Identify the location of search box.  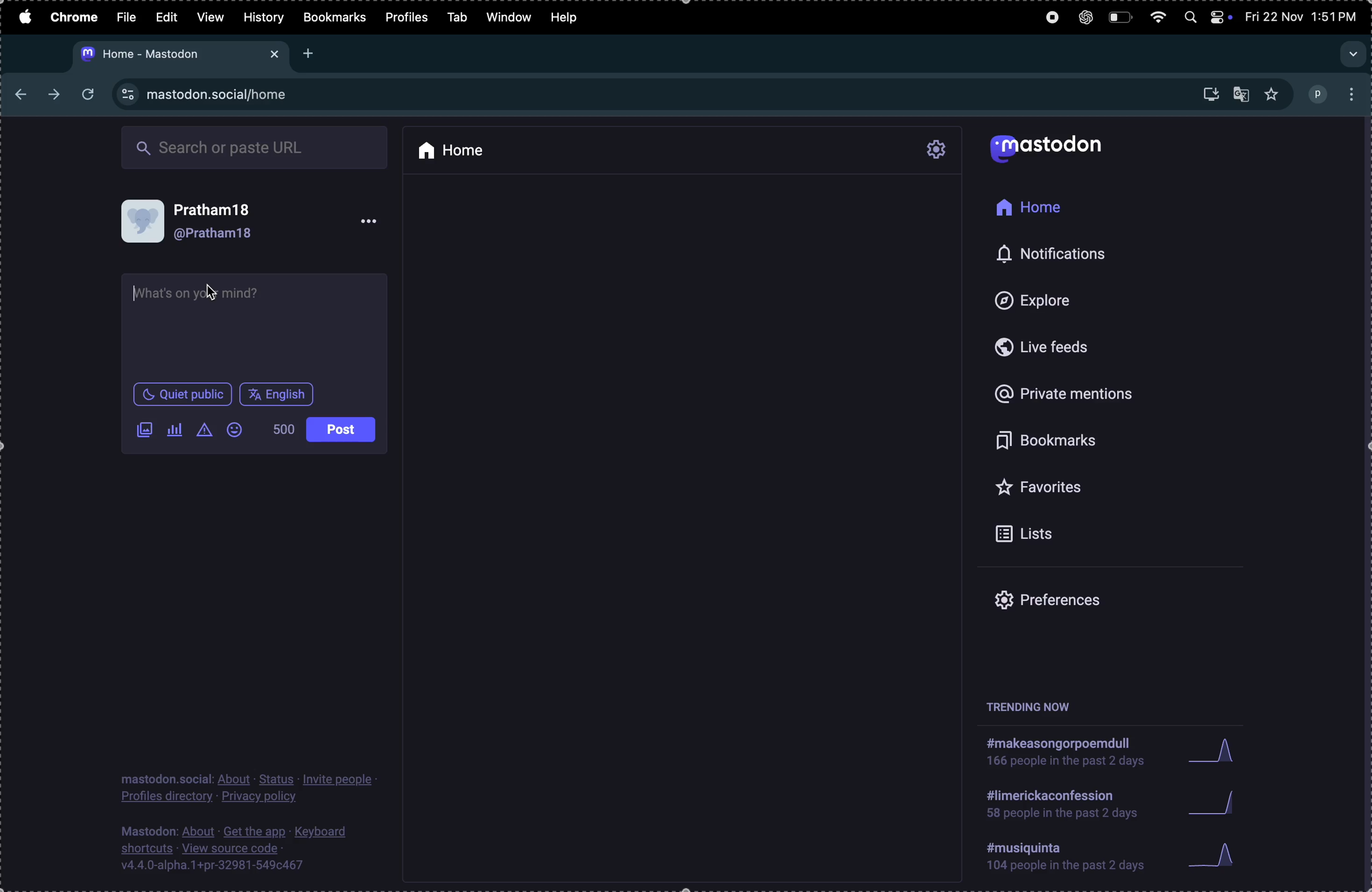
(251, 145).